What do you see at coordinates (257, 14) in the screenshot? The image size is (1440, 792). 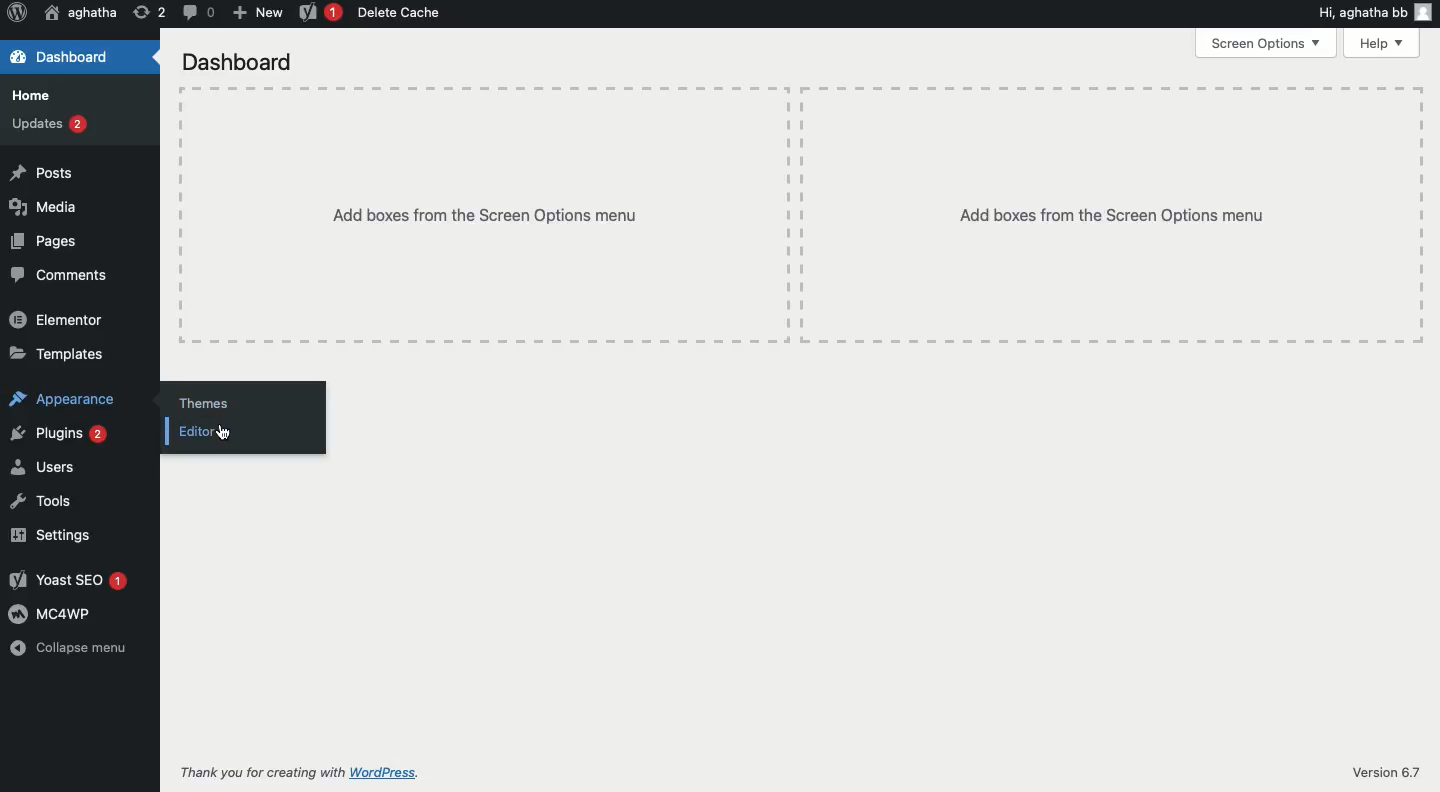 I see `New` at bounding box center [257, 14].